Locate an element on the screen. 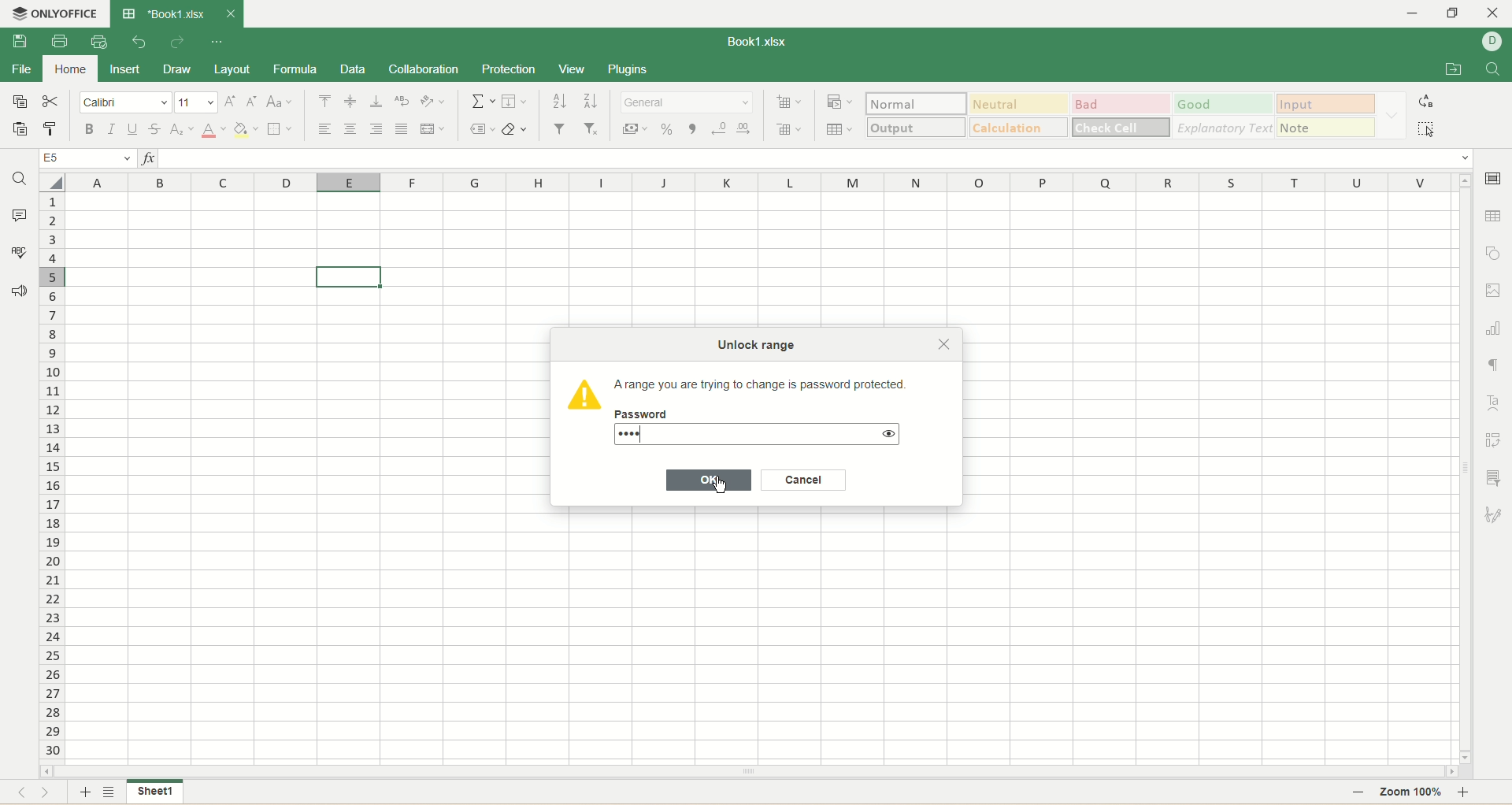 This screenshot has height=805, width=1512. align bottom is located at coordinates (376, 102).